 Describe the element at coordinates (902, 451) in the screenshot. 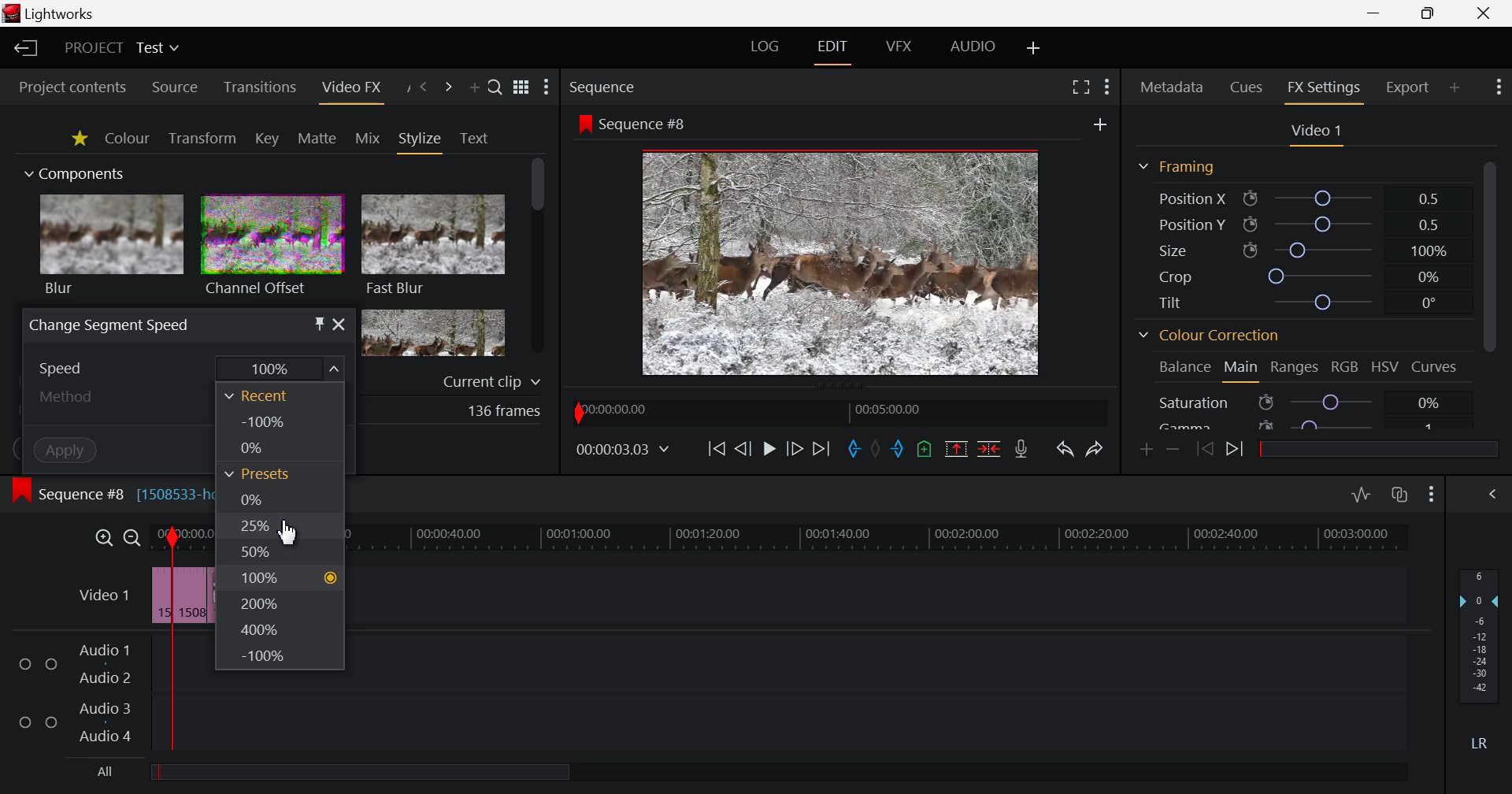

I see `Mark Out` at that location.